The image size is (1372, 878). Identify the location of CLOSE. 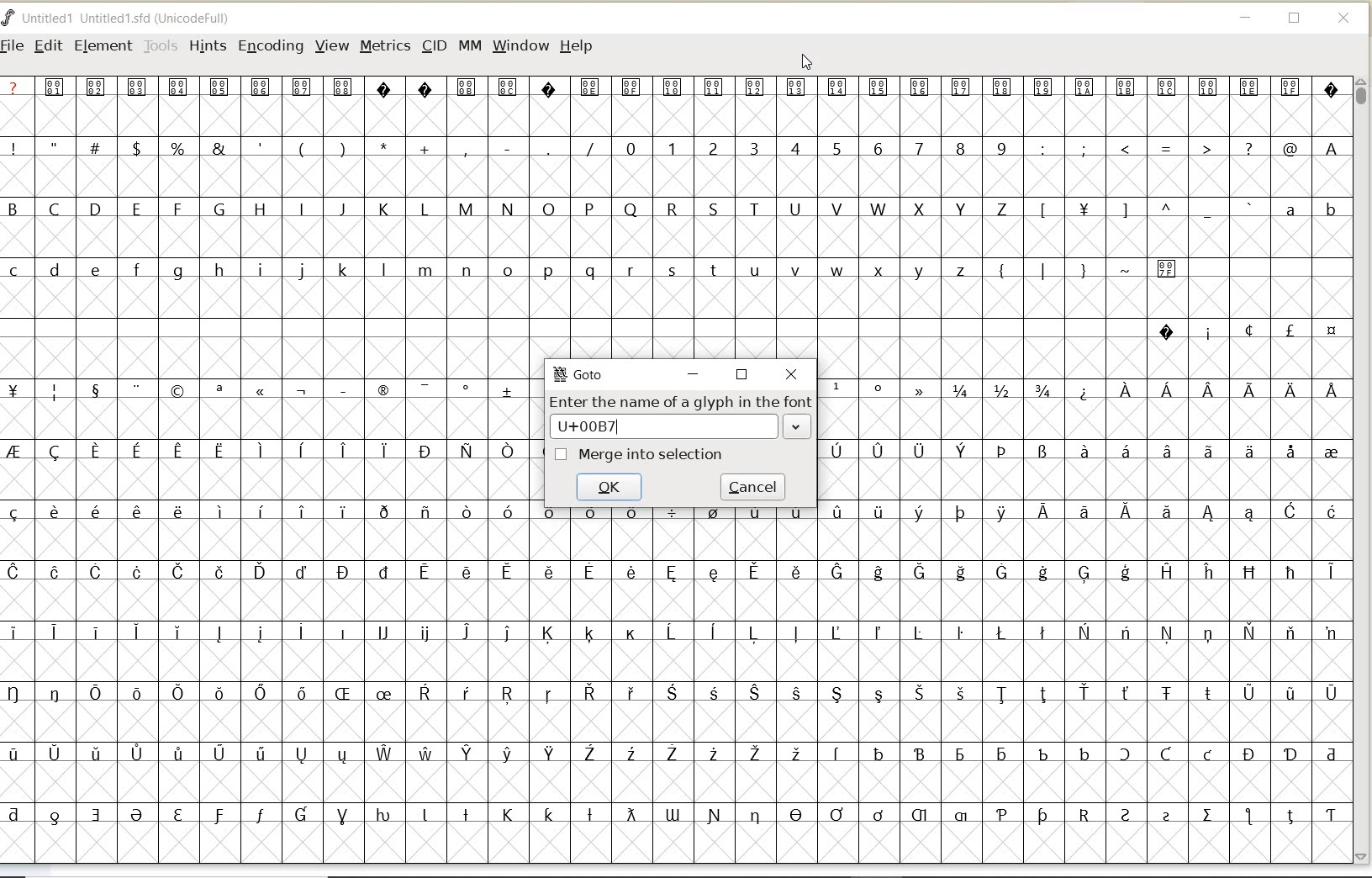
(1345, 19).